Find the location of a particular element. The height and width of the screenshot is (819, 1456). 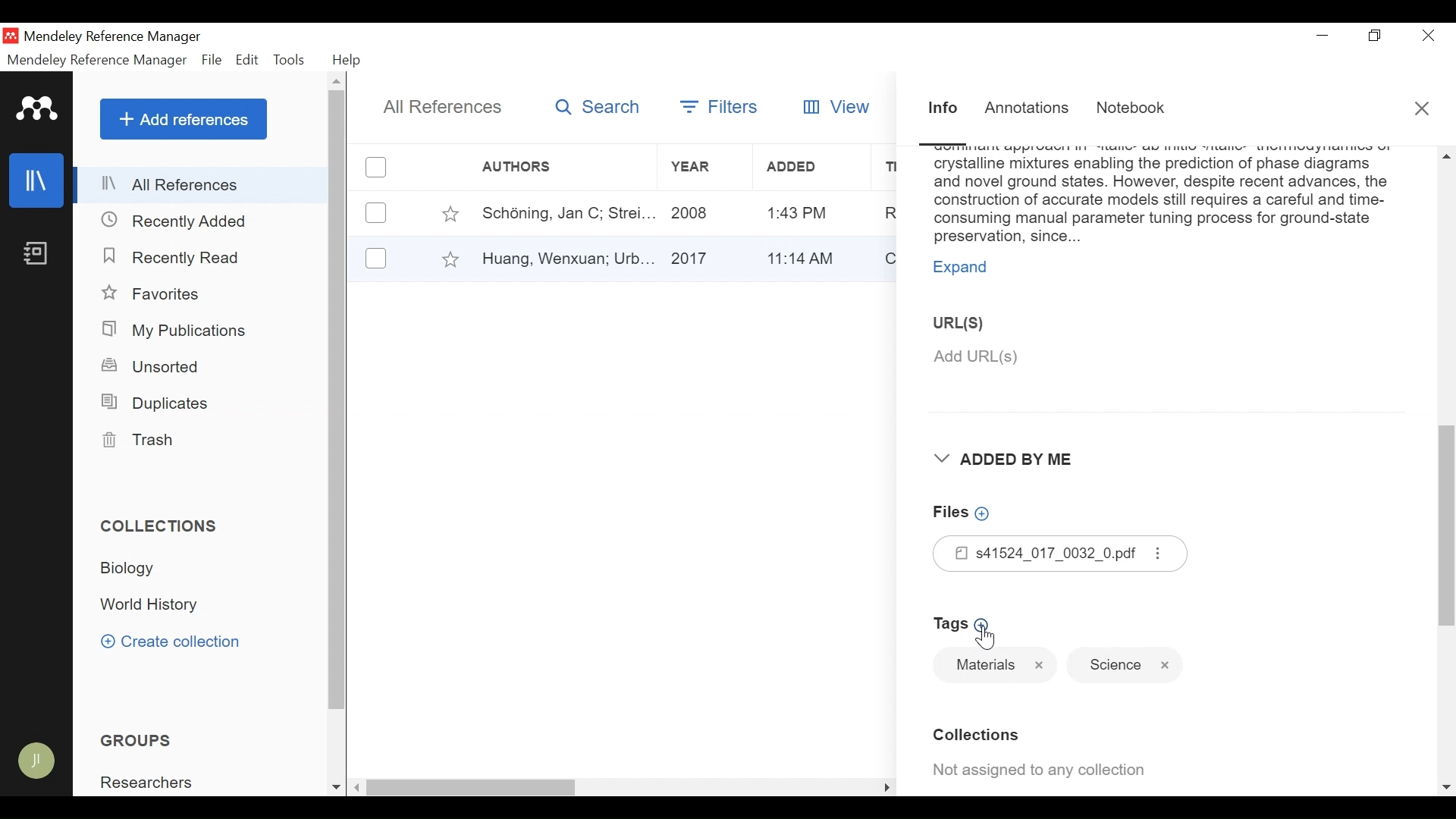

Trash is located at coordinates (136, 440).